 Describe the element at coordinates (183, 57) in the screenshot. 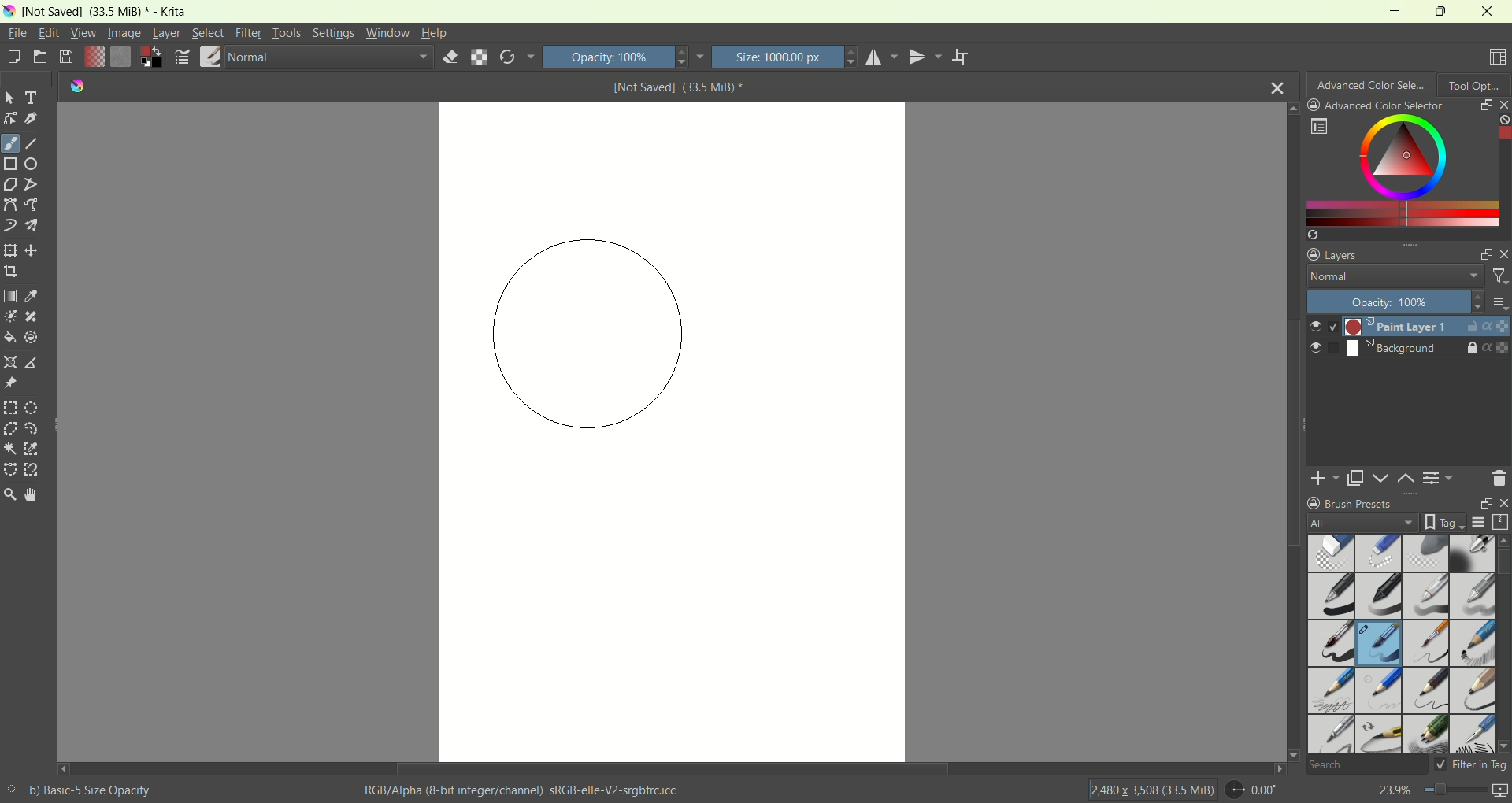

I see `edit brush settings` at that location.